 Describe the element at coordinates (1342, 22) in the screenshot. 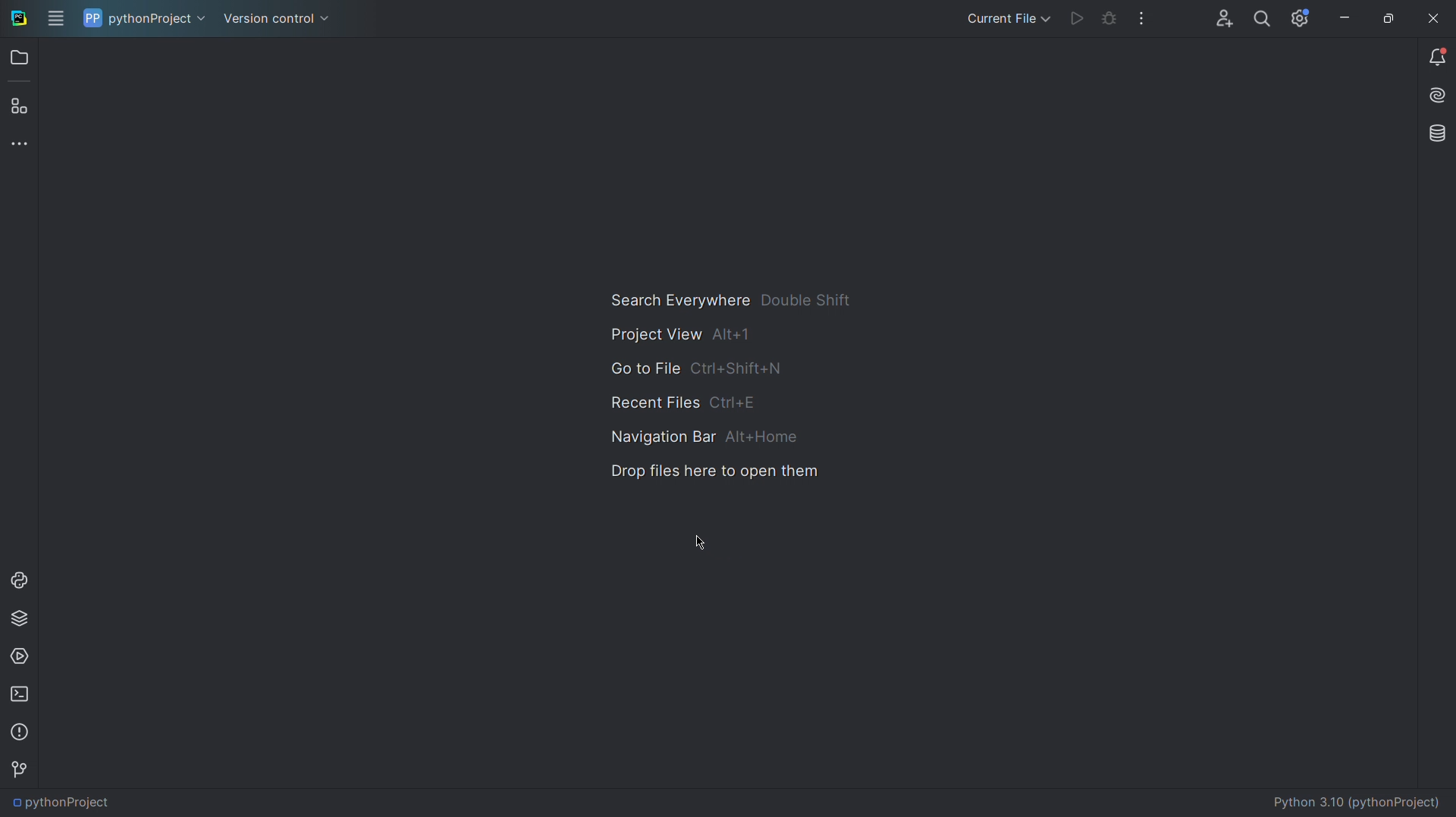

I see `minimize` at that location.